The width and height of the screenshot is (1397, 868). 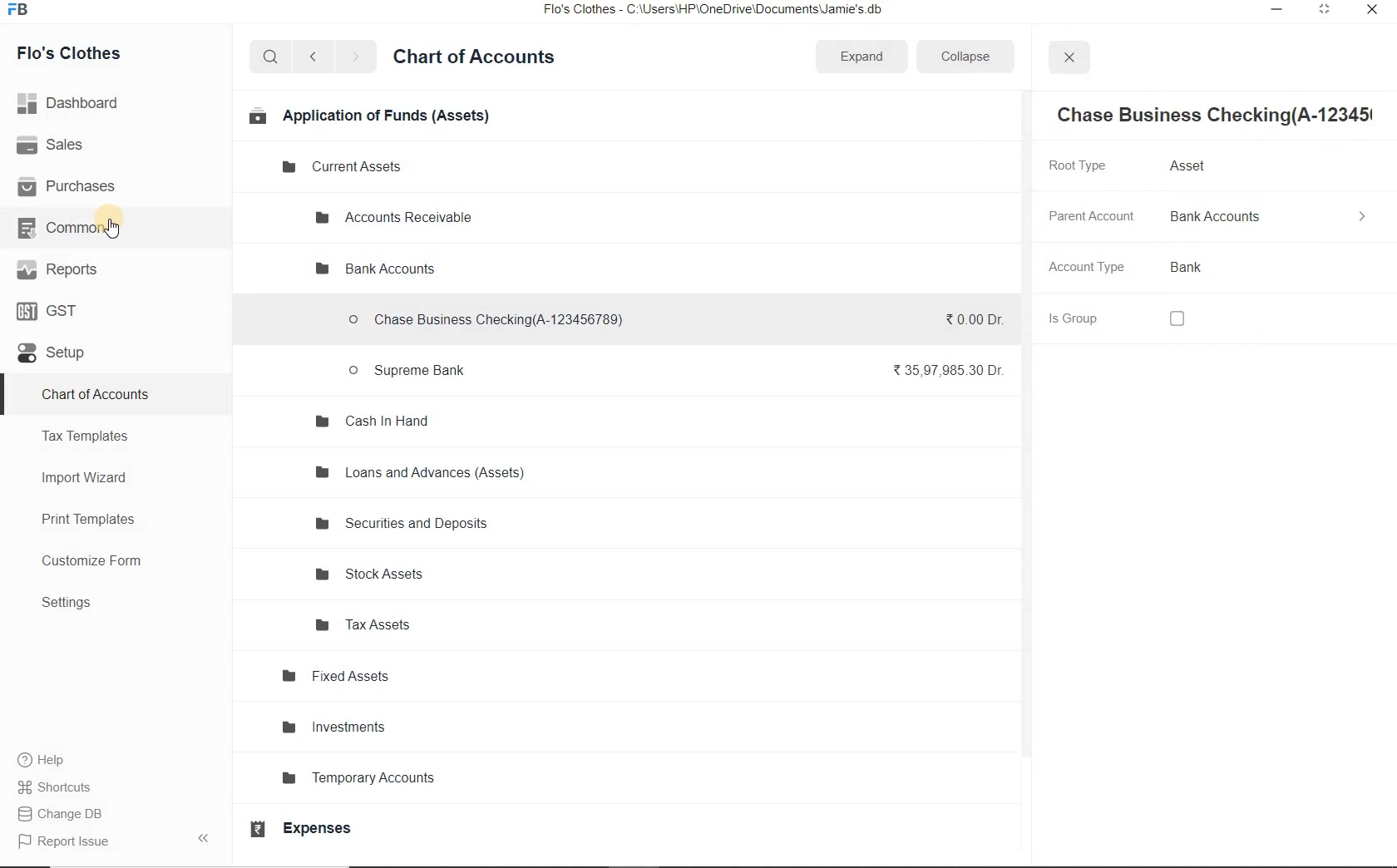 What do you see at coordinates (117, 232) in the screenshot?
I see `cursor` at bounding box center [117, 232].